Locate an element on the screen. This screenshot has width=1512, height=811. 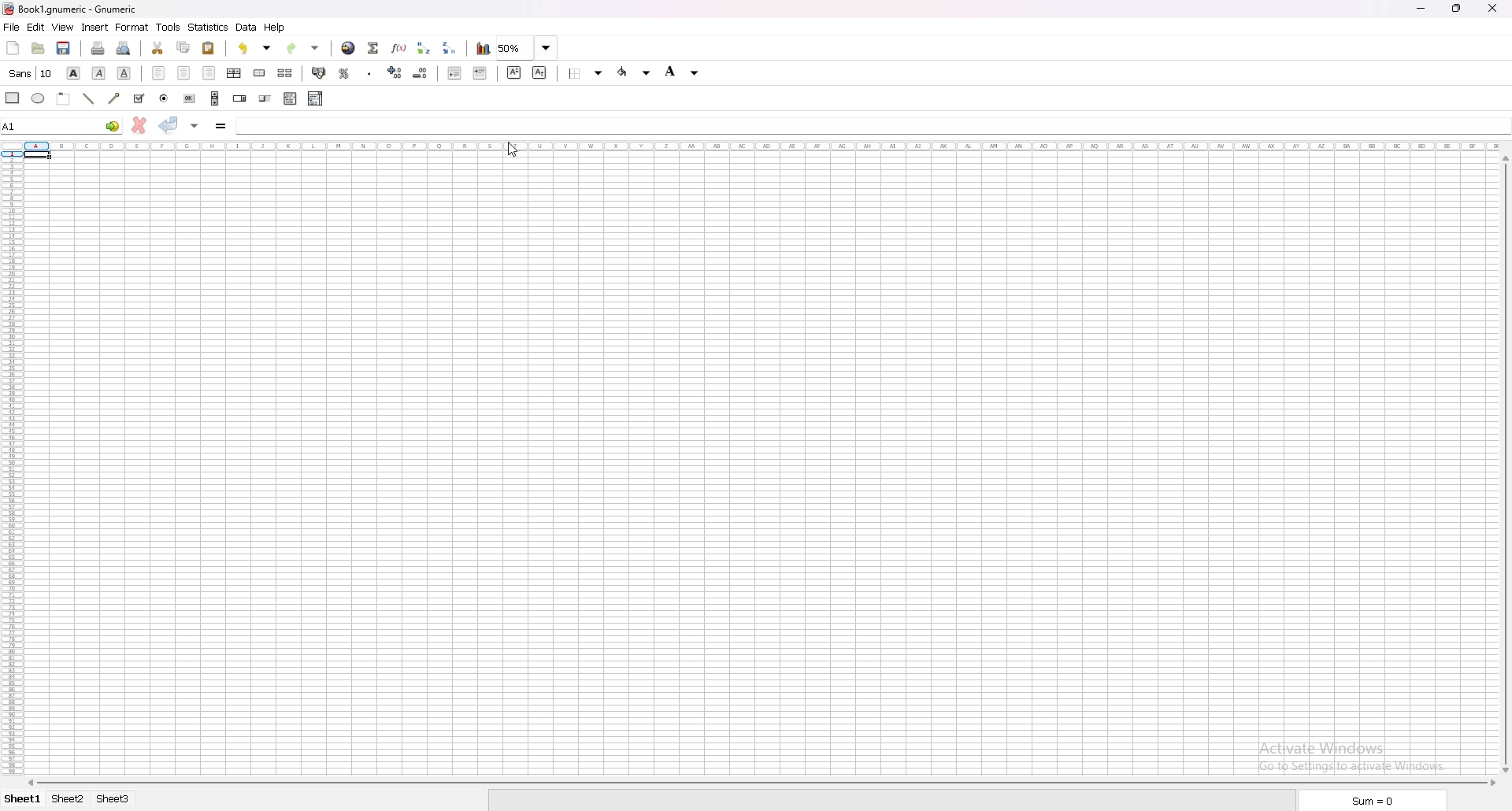
increase indent is located at coordinates (481, 74).